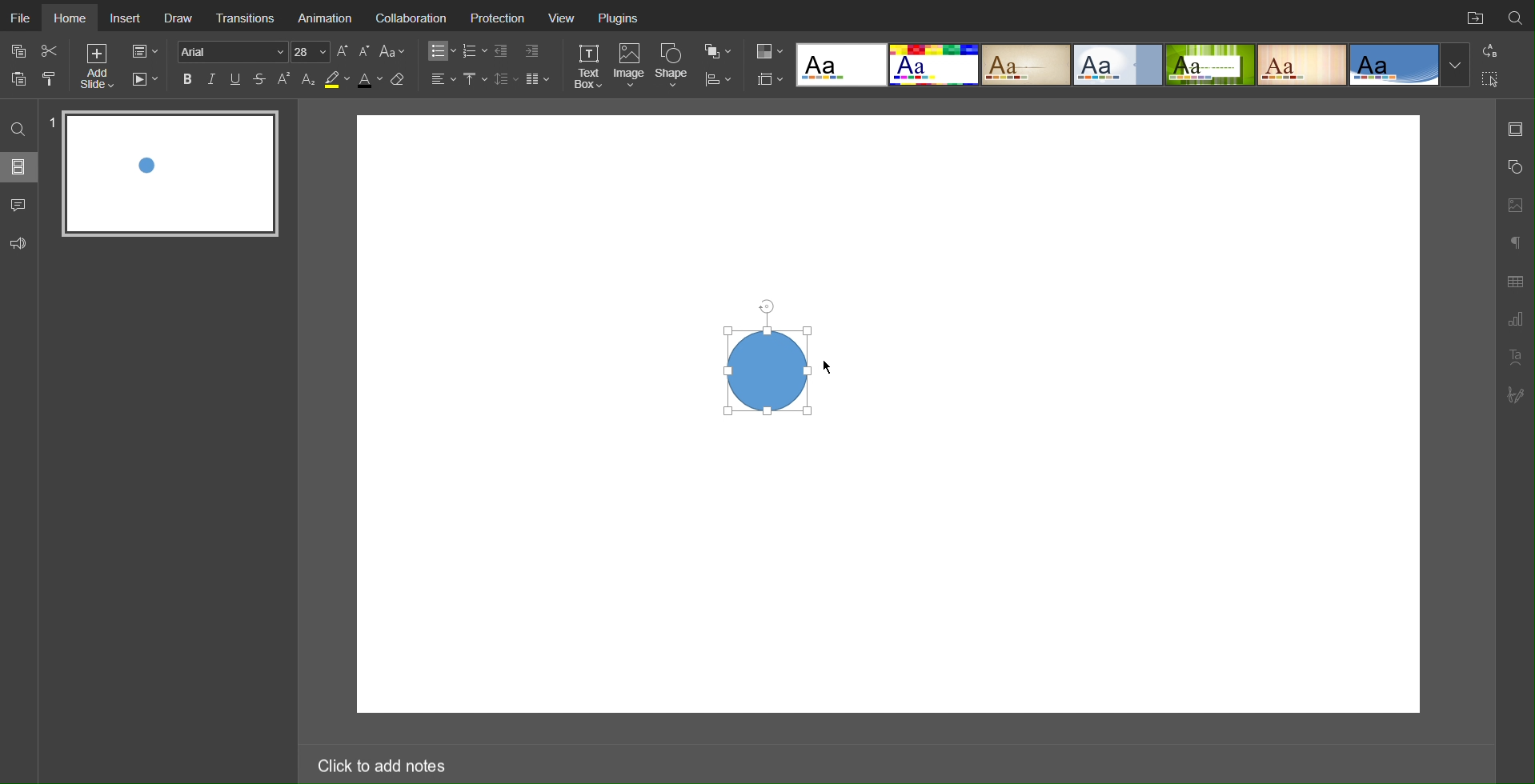 The width and height of the screenshot is (1535, 784). I want to click on Distribution, so click(718, 78).